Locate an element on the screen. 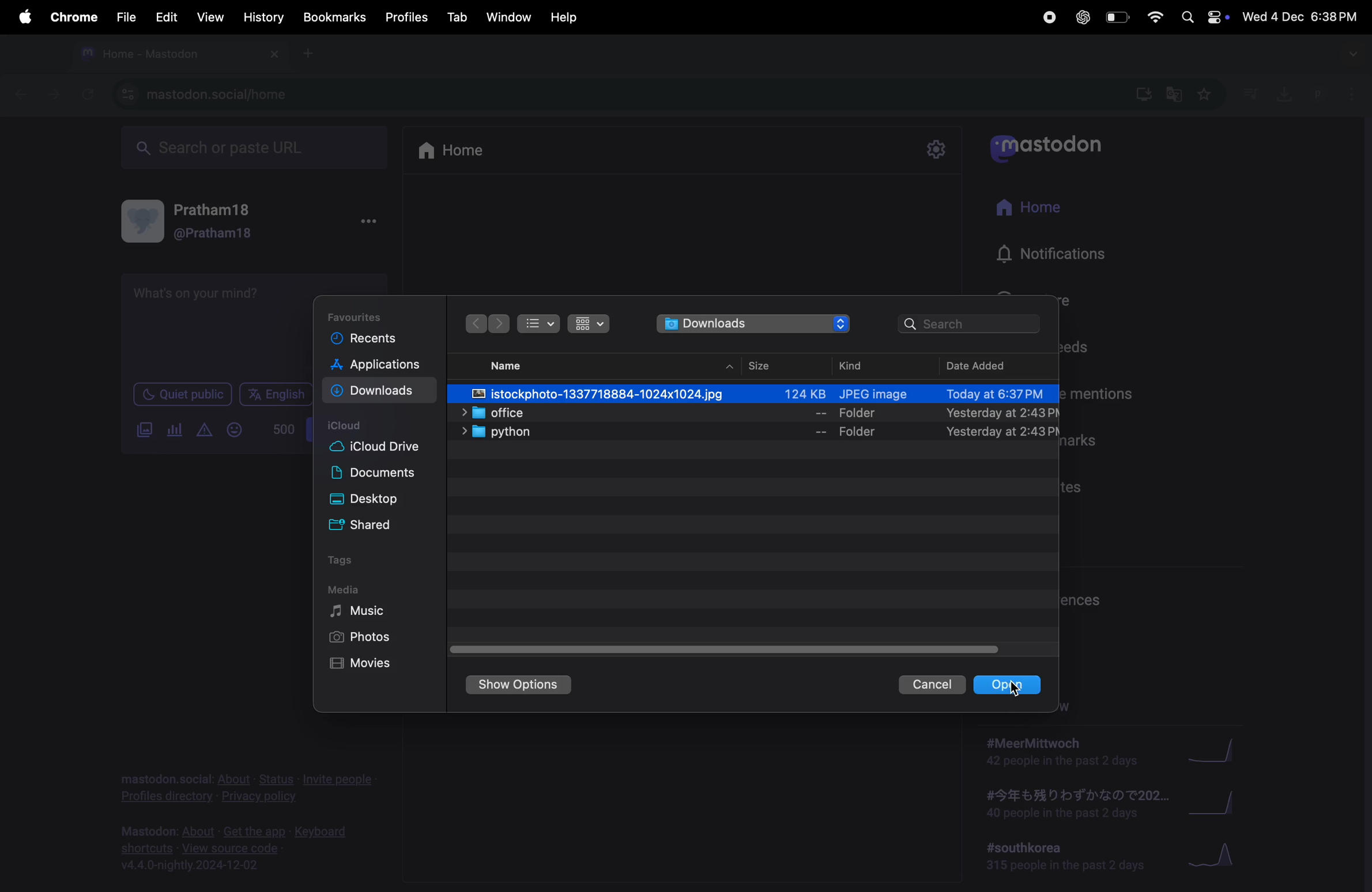  name is located at coordinates (514, 365).